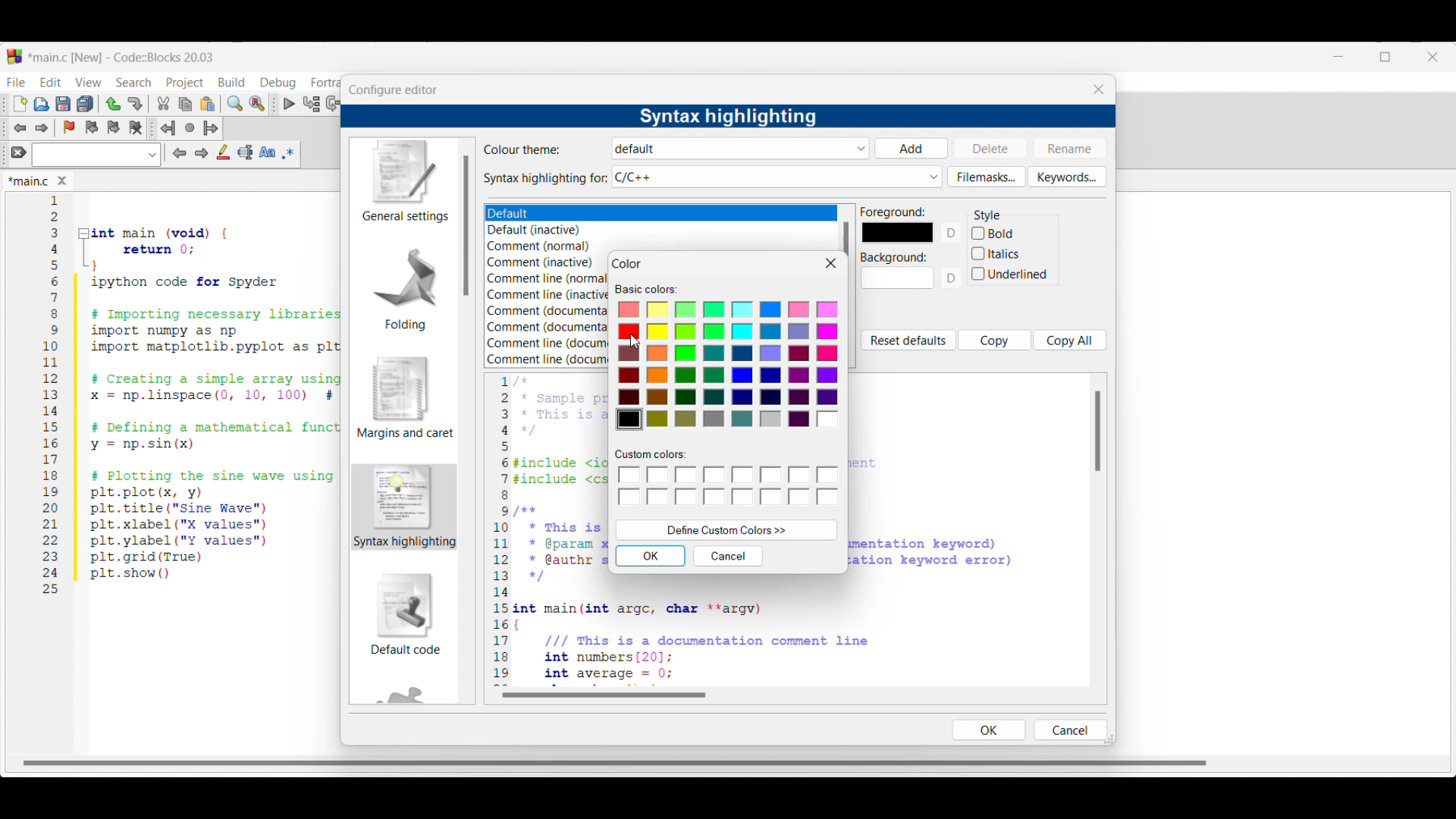  I want to click on Undo, so click(113, 104).